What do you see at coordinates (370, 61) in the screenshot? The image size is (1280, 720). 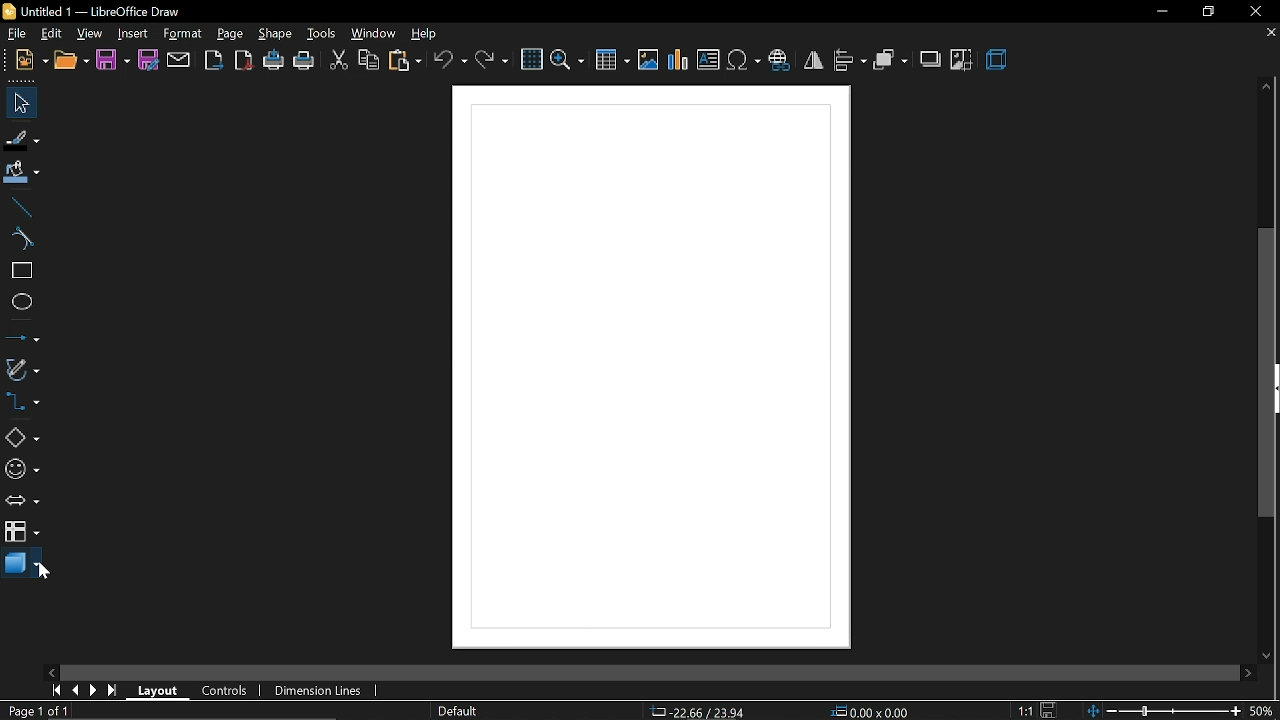 I see `copy` at bounding box center [370, 61].